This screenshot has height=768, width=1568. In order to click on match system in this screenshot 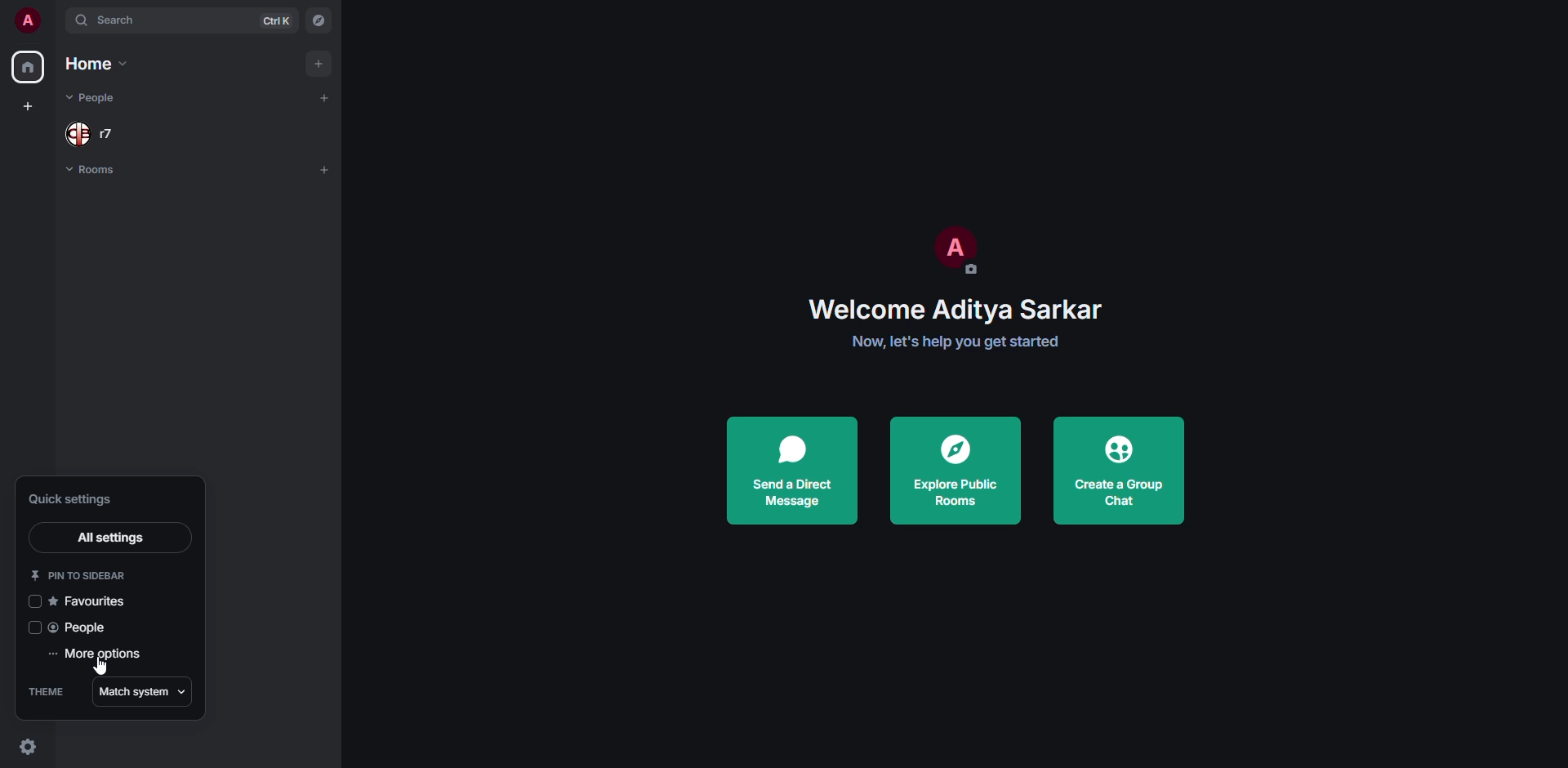, I will do `click(143, 693)`.